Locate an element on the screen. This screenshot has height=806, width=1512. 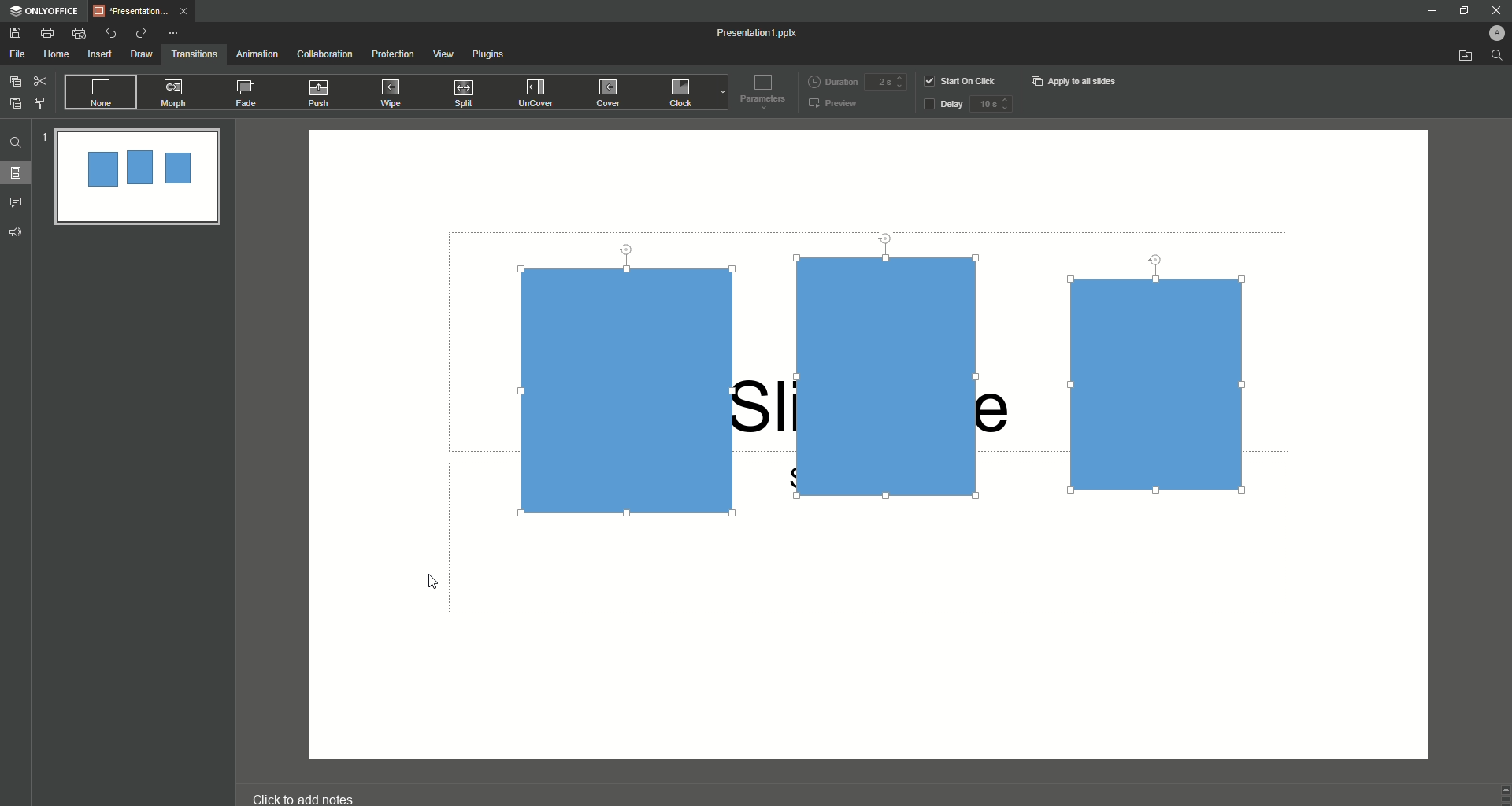
click to add notes is located at coordinates (318, 791).